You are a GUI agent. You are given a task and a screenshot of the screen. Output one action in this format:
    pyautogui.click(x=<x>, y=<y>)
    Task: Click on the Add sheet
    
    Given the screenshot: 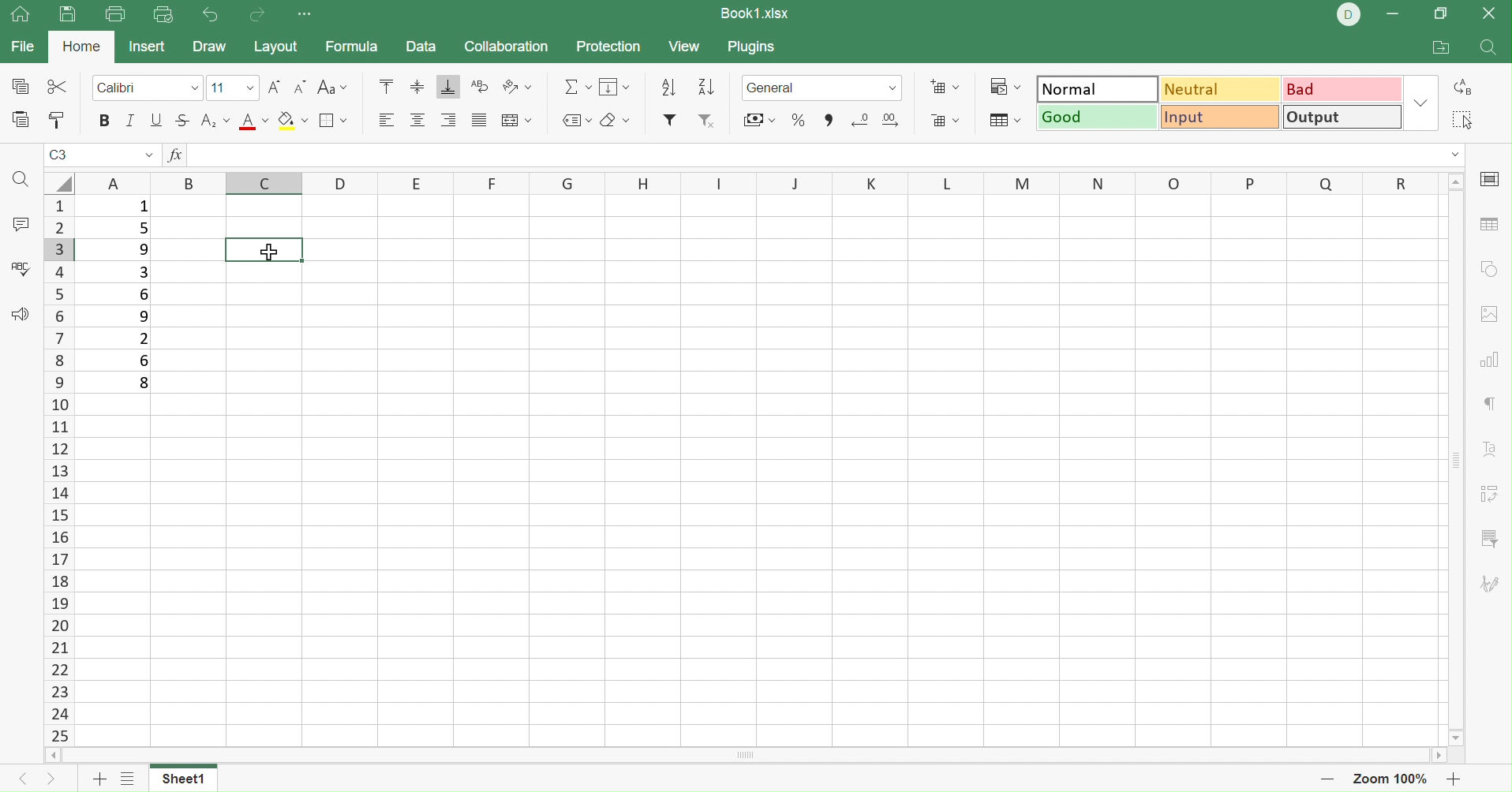 What is the action you would take?
    pyautogui.click(x=97, y=779)
    